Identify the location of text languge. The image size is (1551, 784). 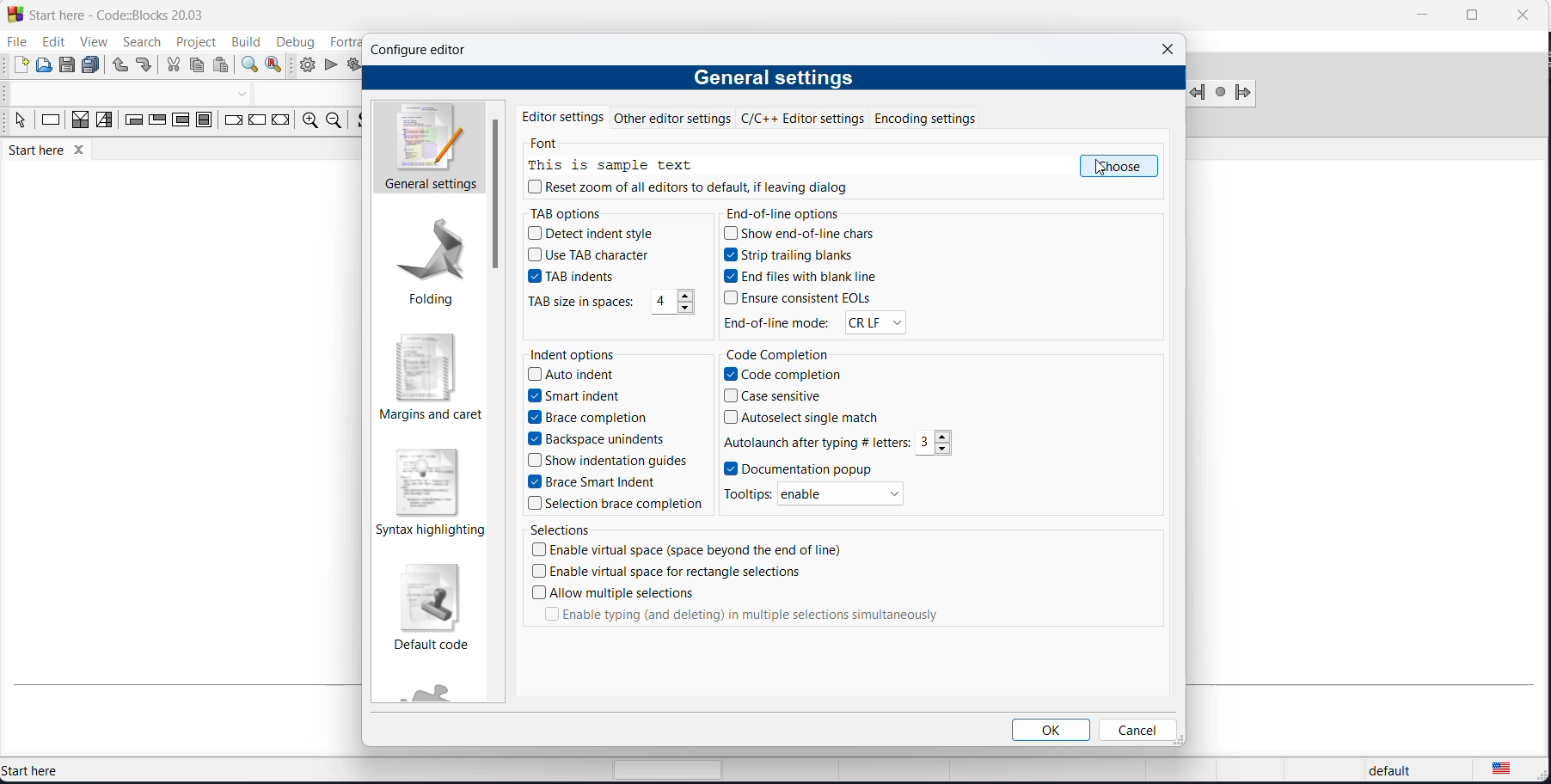
(1513, 772).